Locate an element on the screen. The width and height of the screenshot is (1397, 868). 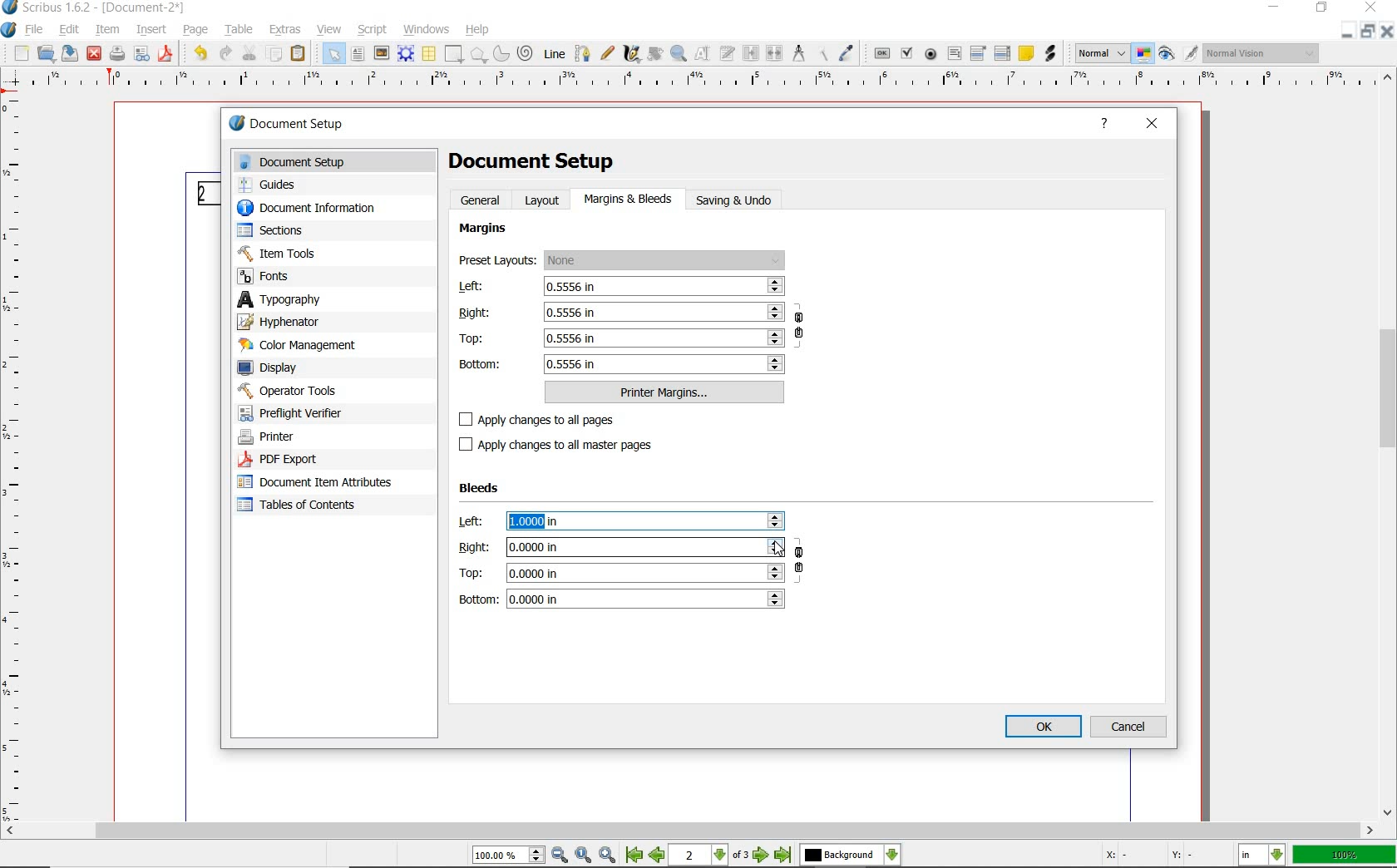
general is located at coordinates (481, 200).